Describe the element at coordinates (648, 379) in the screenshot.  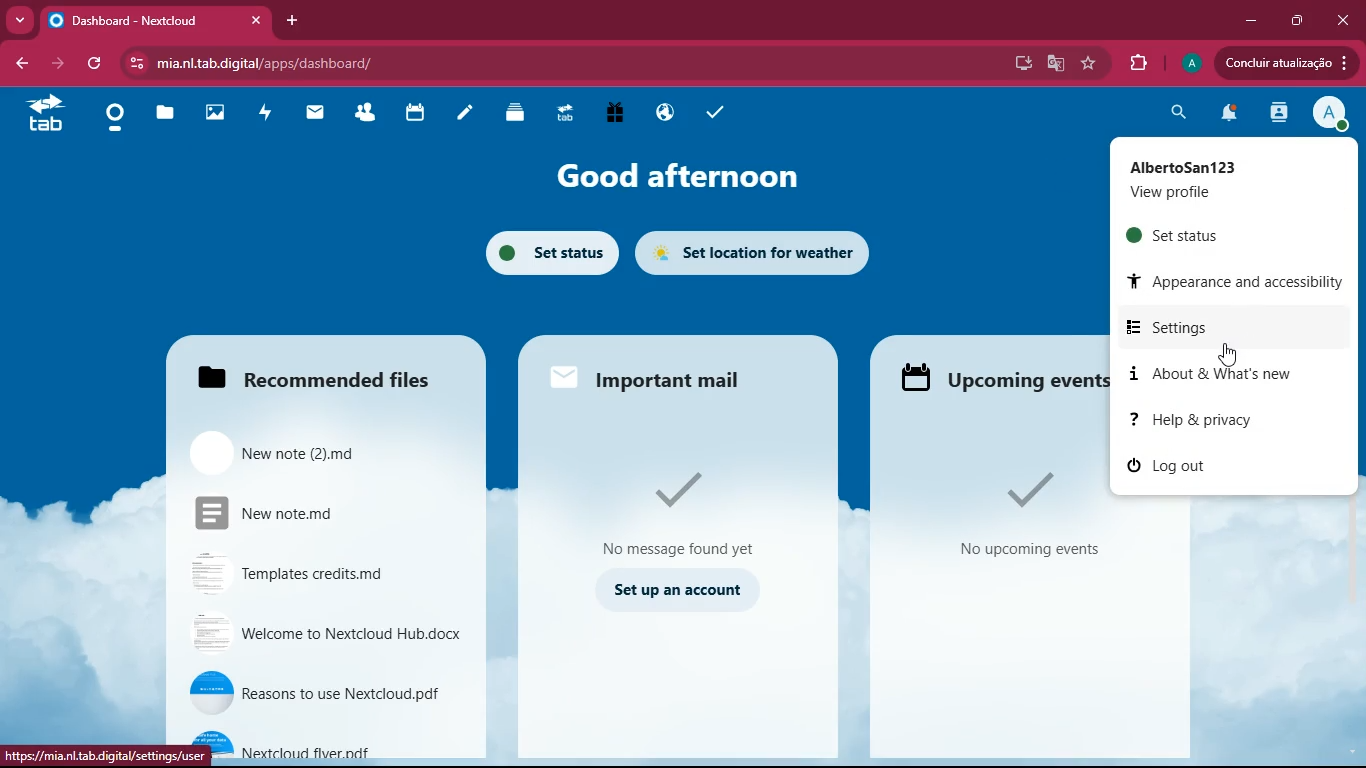
I see `Important mail` at that location.